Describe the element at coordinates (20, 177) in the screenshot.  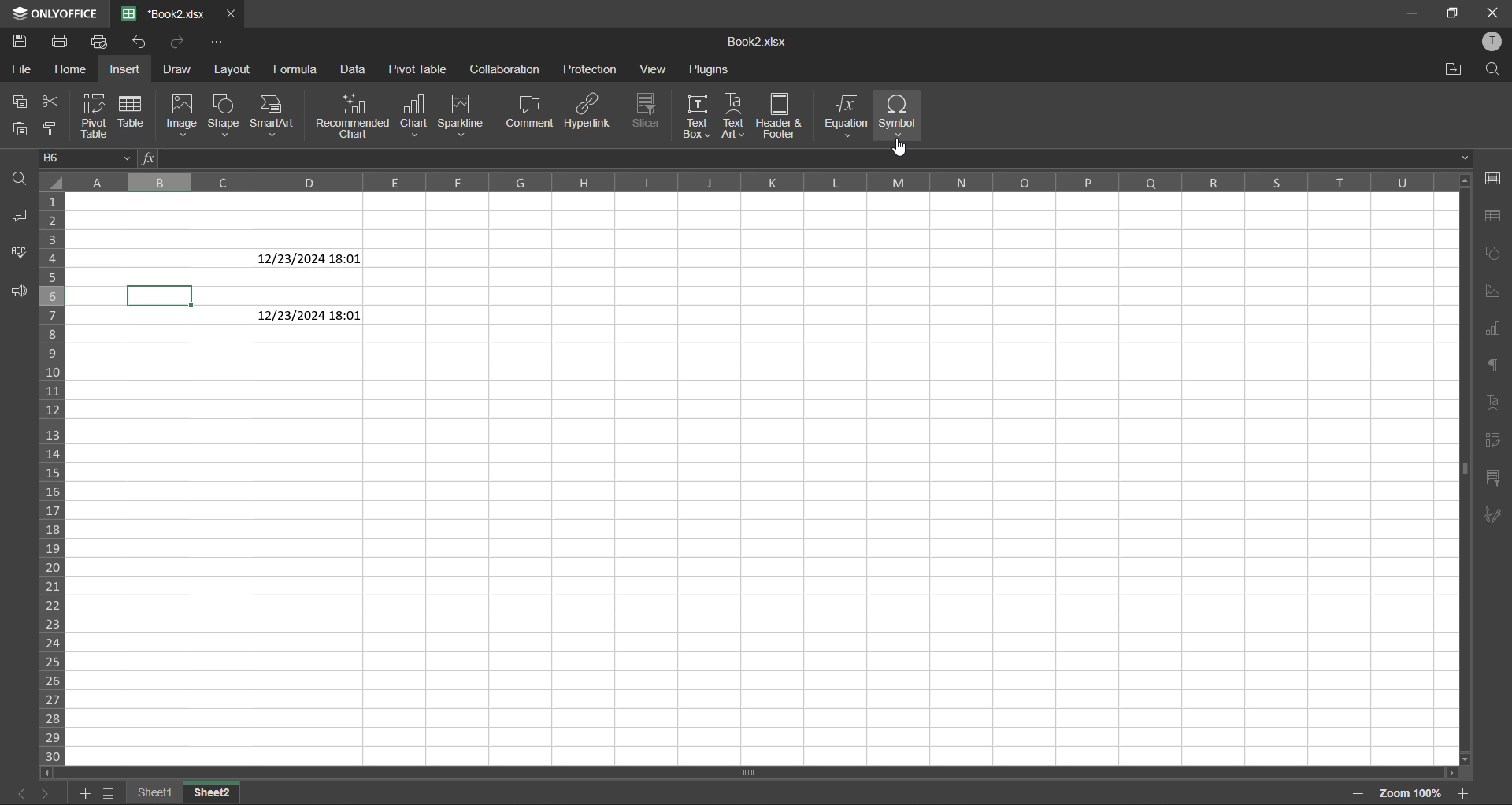
I see `find` at that location.